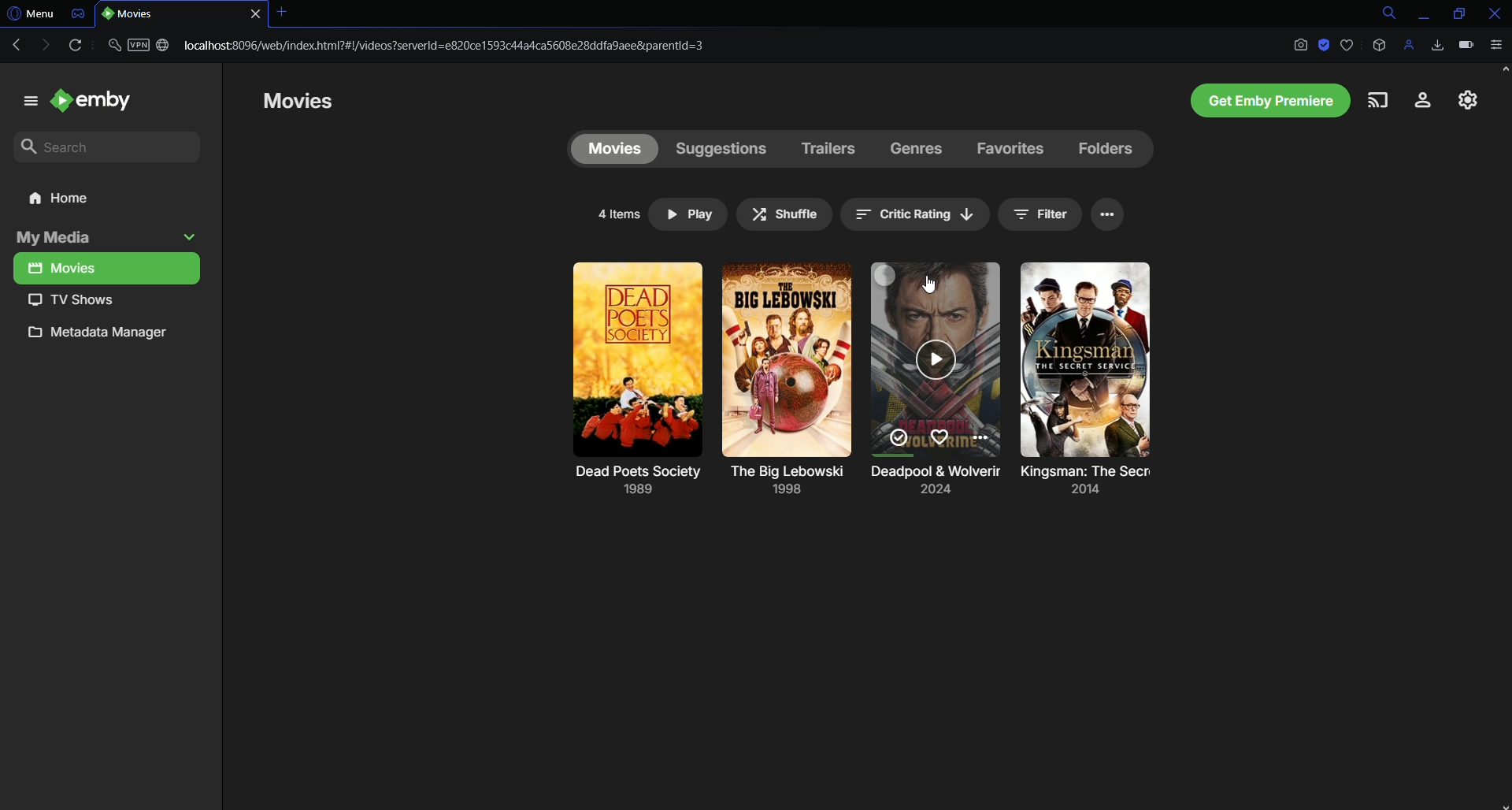  I want to click on movie poster, so click(784, 360).